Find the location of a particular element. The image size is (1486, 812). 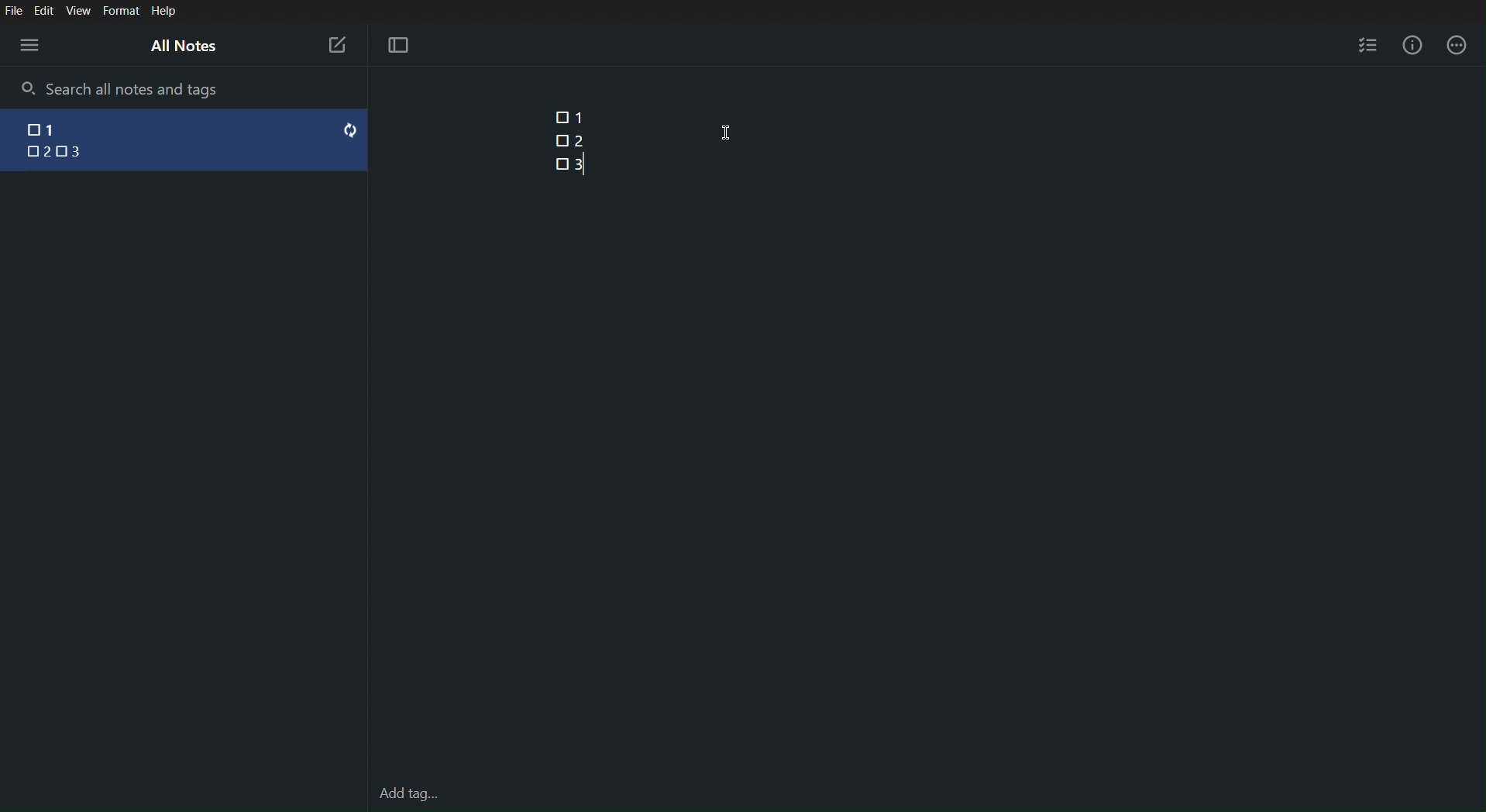

Checkpoint is located at coordinates (561, 140).